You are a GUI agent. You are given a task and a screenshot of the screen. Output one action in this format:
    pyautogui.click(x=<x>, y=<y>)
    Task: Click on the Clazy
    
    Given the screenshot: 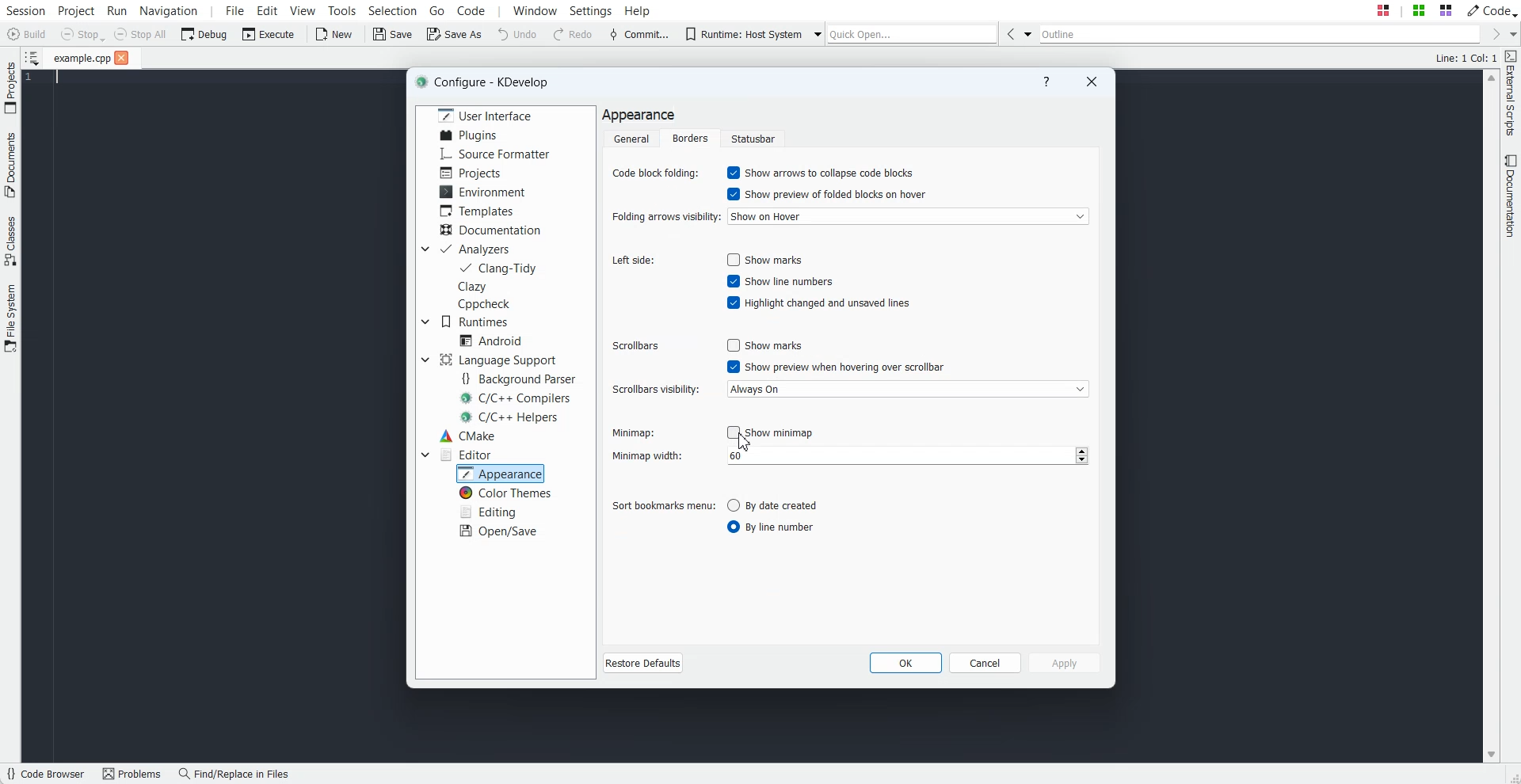 What is the action you would take?
    pyautogui.click(x=473, y=287)
    